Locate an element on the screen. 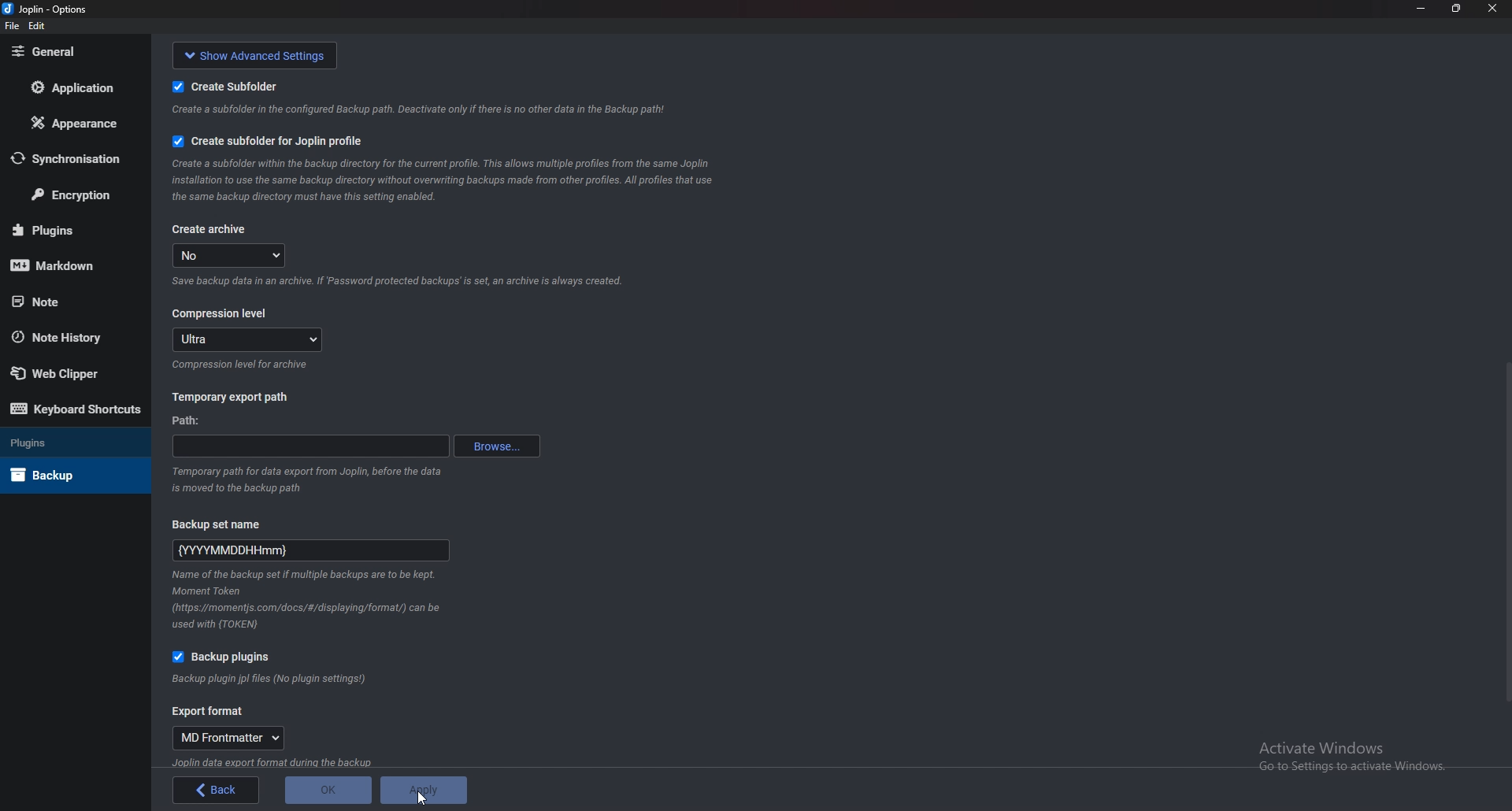  back is located at coordinates (220, 788).